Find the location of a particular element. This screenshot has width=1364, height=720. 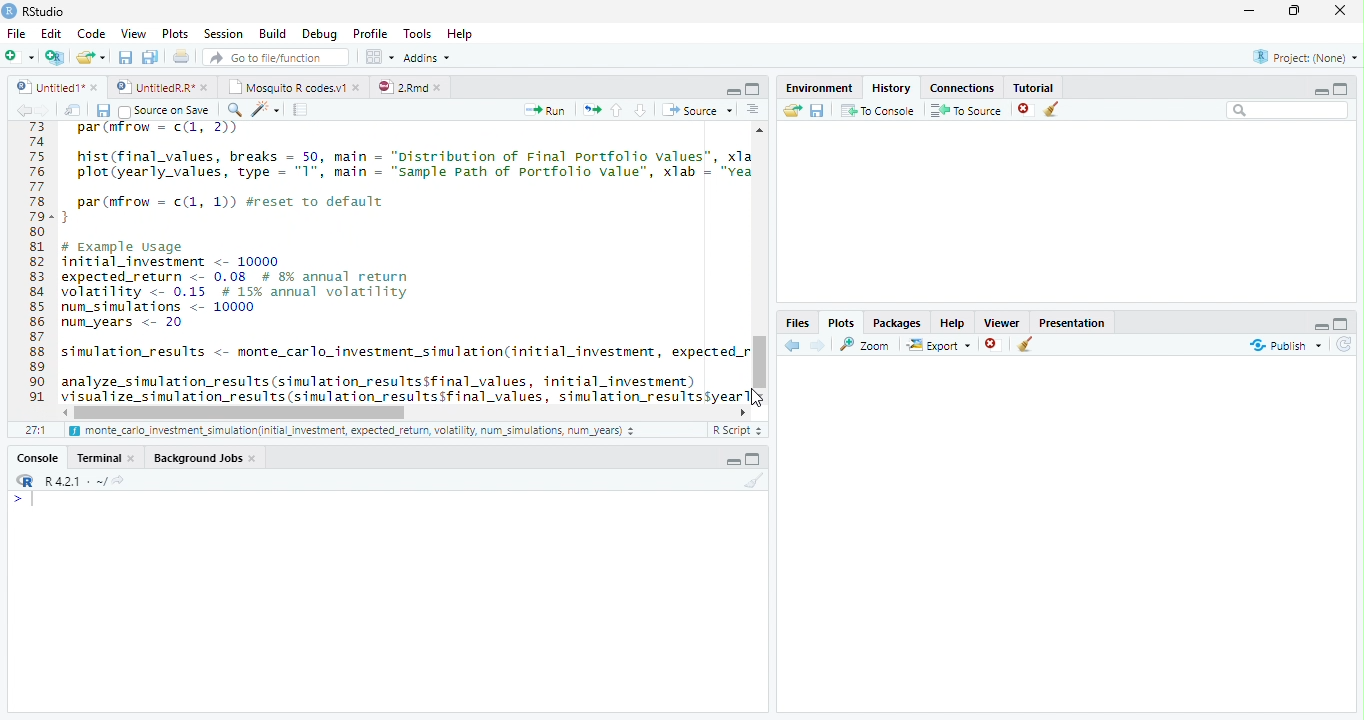

Console is located at coordinates (38, 457).